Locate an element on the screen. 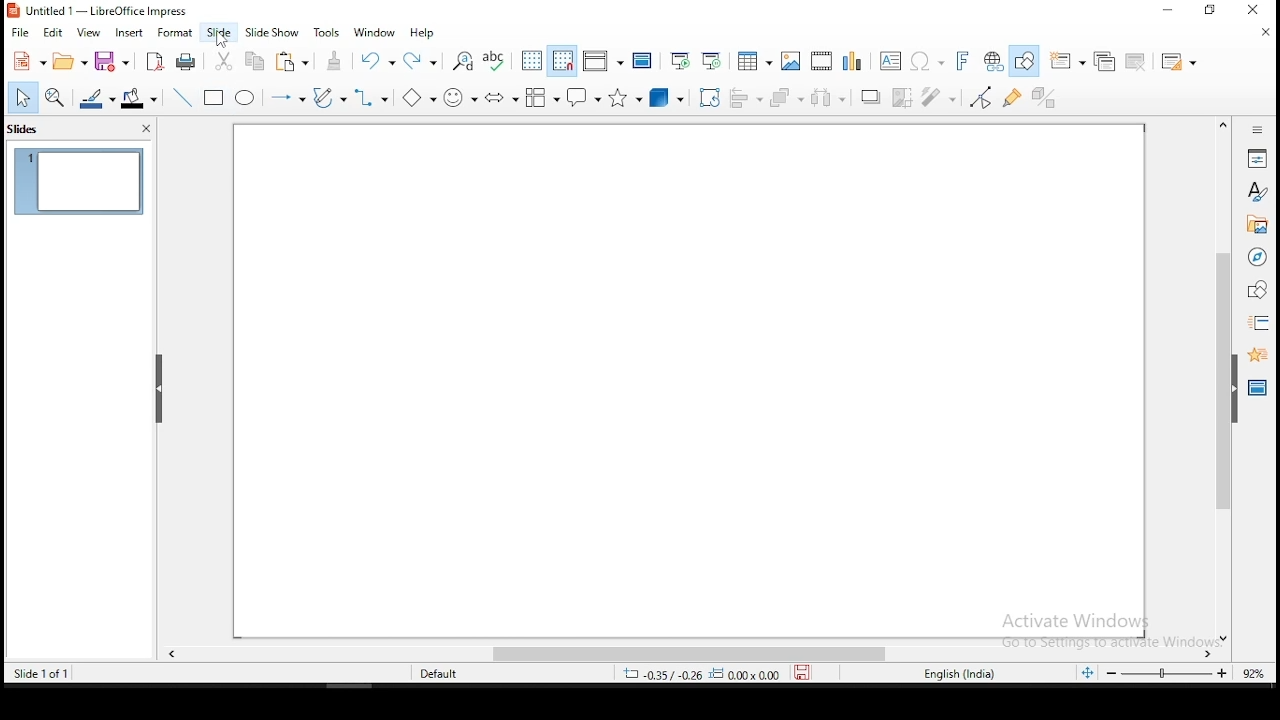 This screenshot has height=720, width=1280. file is located at coordinates (19, 33).